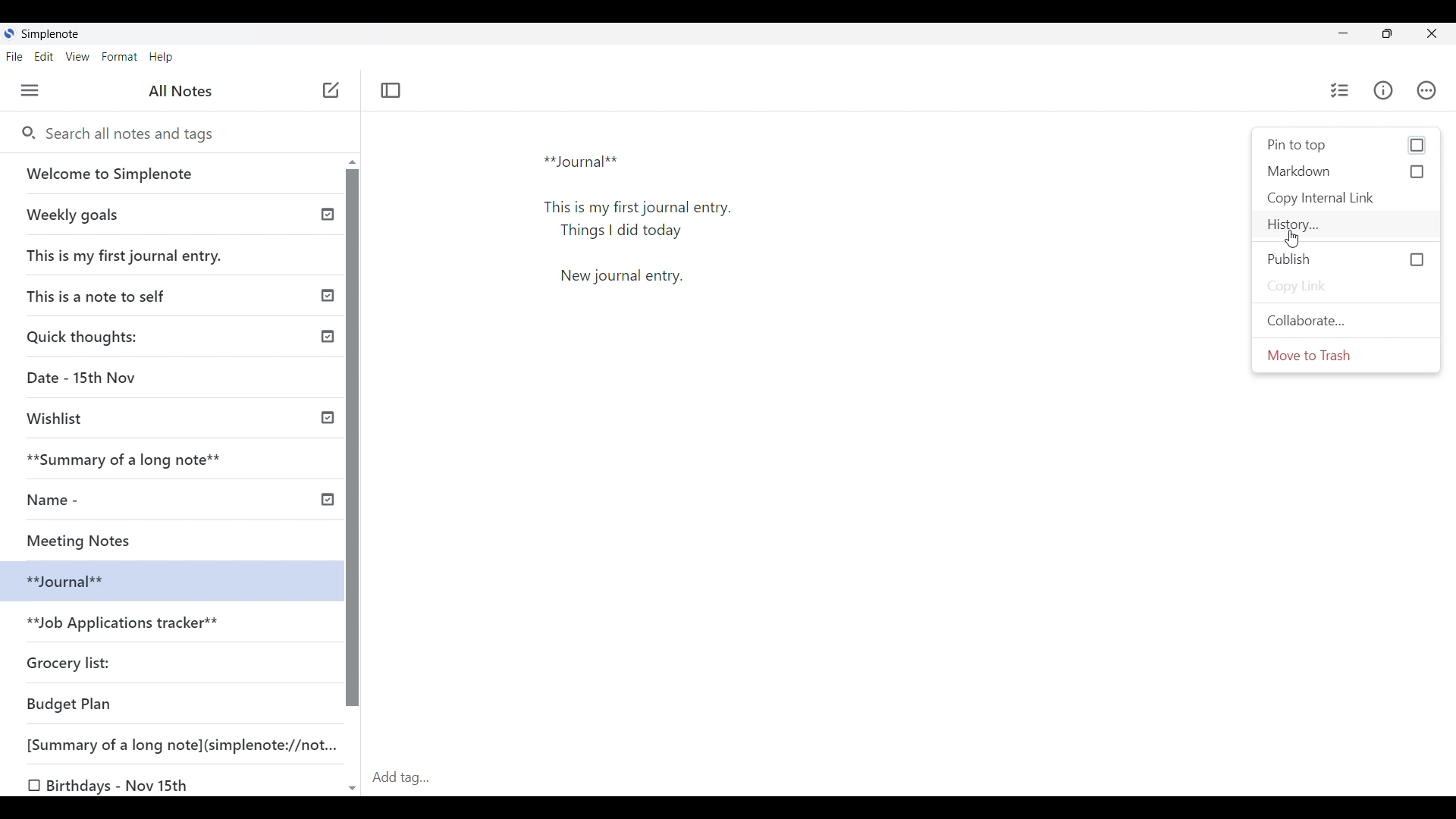  Describe the element at coordinates (353, 438) in the screenshot. I see `Vertical slide bar for left panel` at that location.